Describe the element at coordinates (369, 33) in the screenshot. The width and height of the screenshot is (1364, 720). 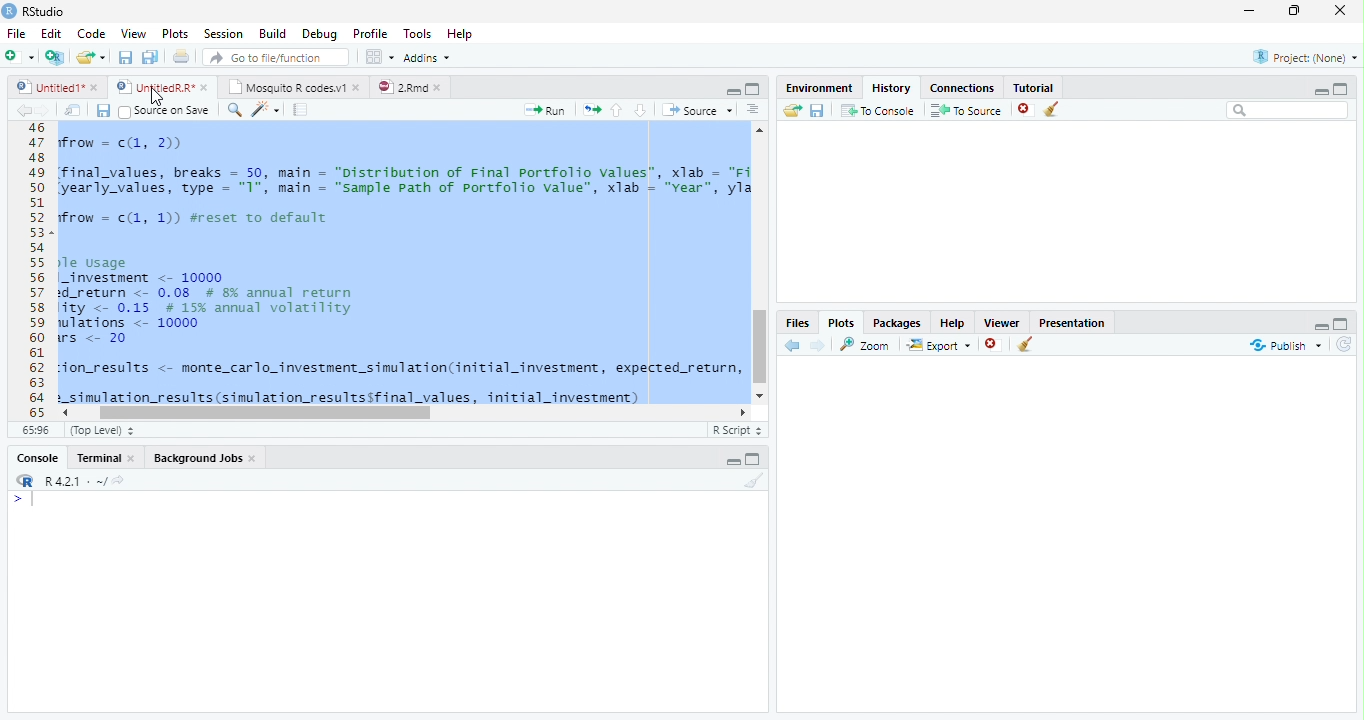
I see `Profile` at that location.